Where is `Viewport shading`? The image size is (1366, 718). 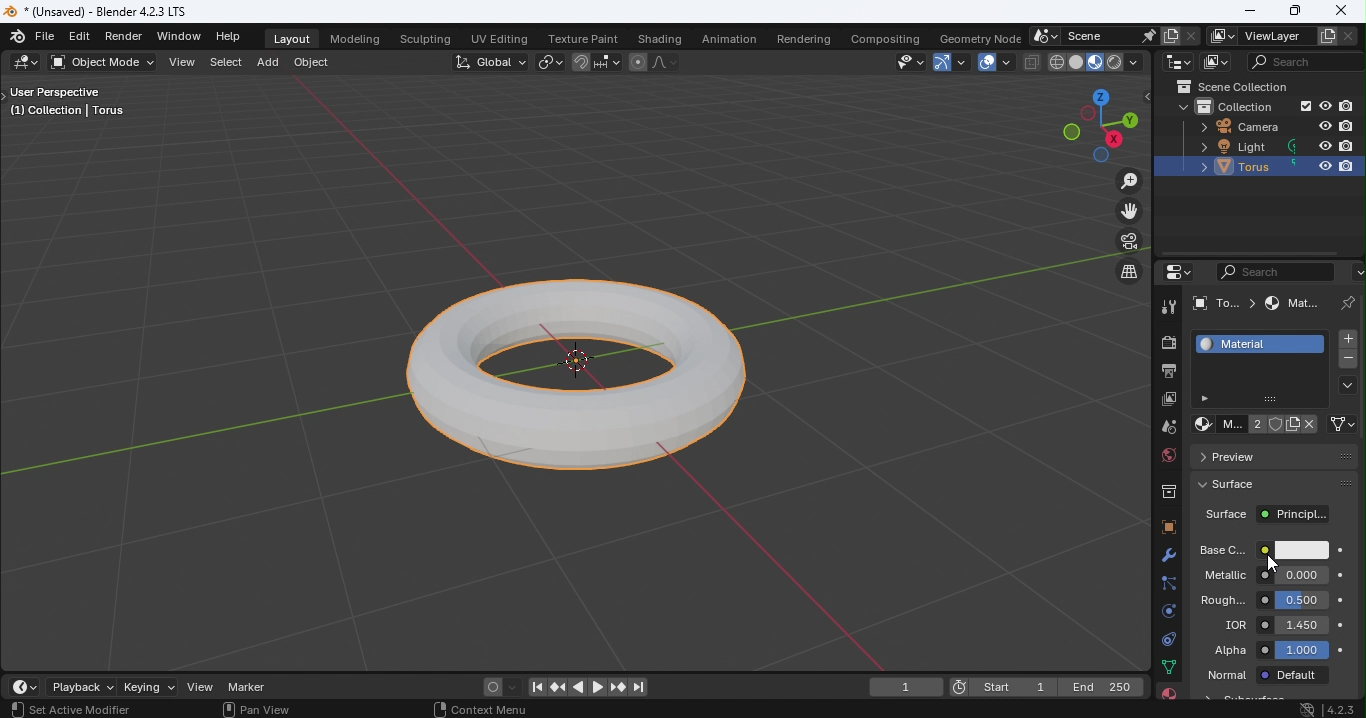 Viewport shading is located at coordinates (1094, 62).